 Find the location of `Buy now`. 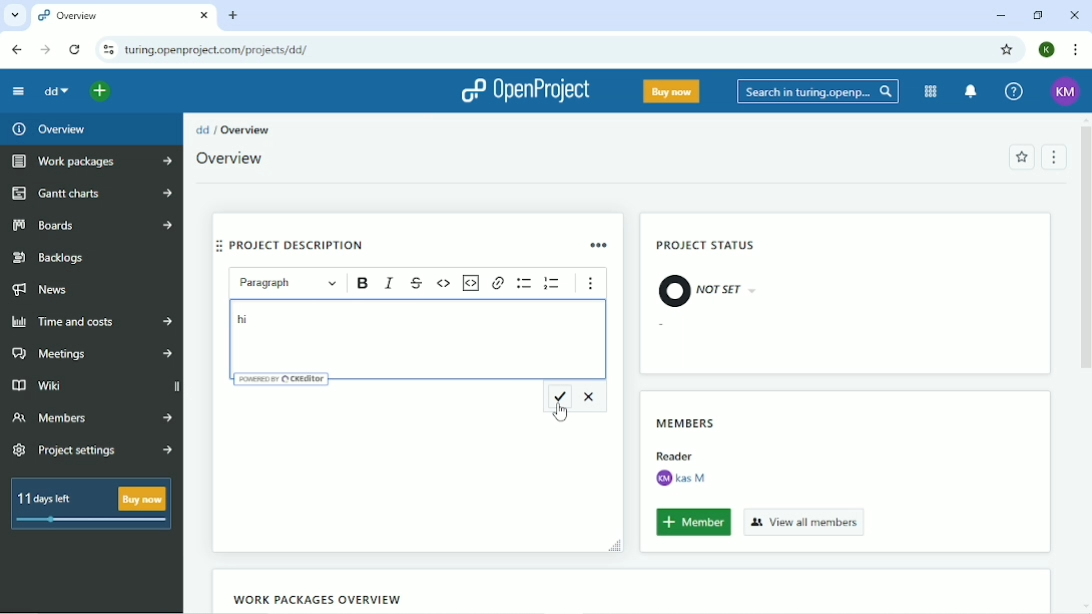

Buy now is located at coordinates (672, 91).